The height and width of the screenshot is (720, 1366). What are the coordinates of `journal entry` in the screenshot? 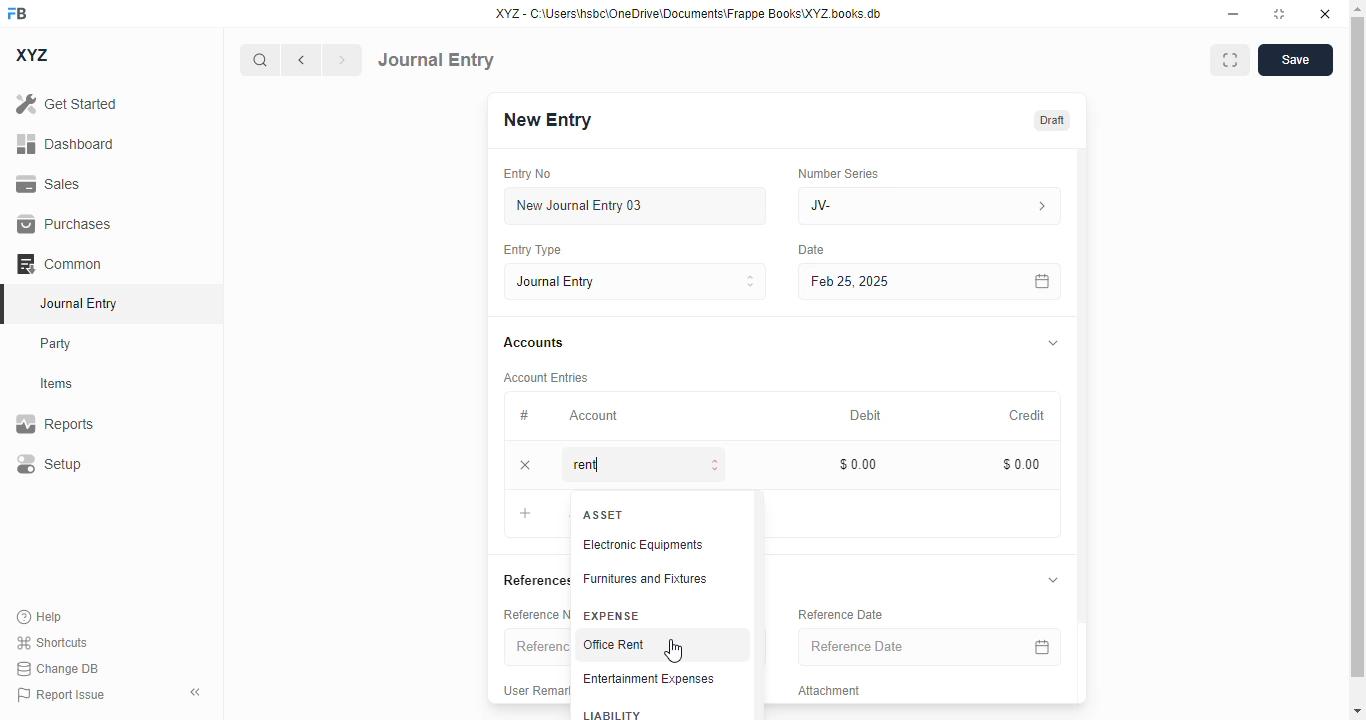 It's located at (436, 60).